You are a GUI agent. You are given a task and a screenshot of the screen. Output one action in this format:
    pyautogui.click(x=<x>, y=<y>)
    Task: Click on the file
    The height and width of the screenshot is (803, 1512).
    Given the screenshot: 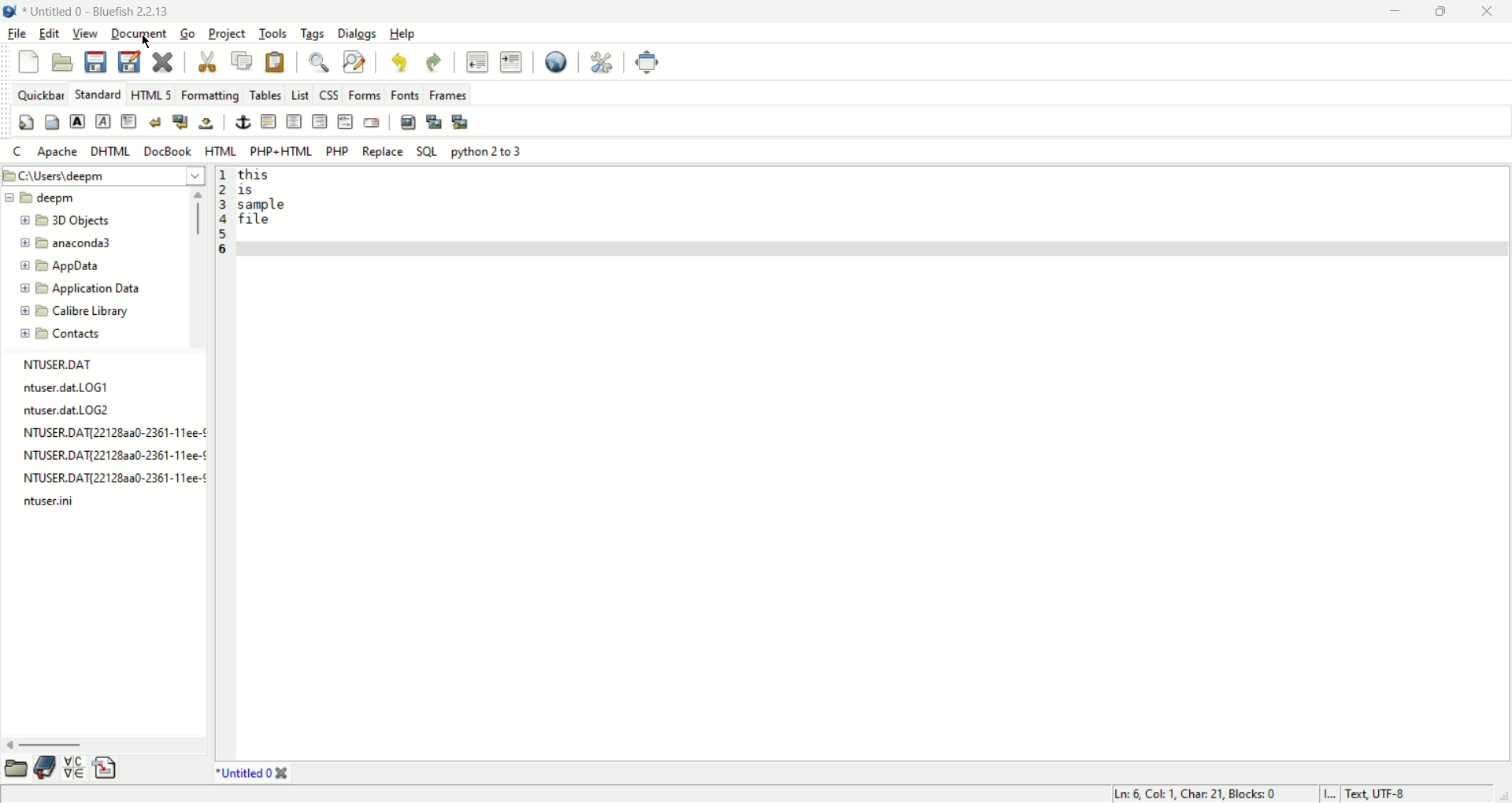 What is the action you would take?
    pyautogui.click(x=17, y=33)
    